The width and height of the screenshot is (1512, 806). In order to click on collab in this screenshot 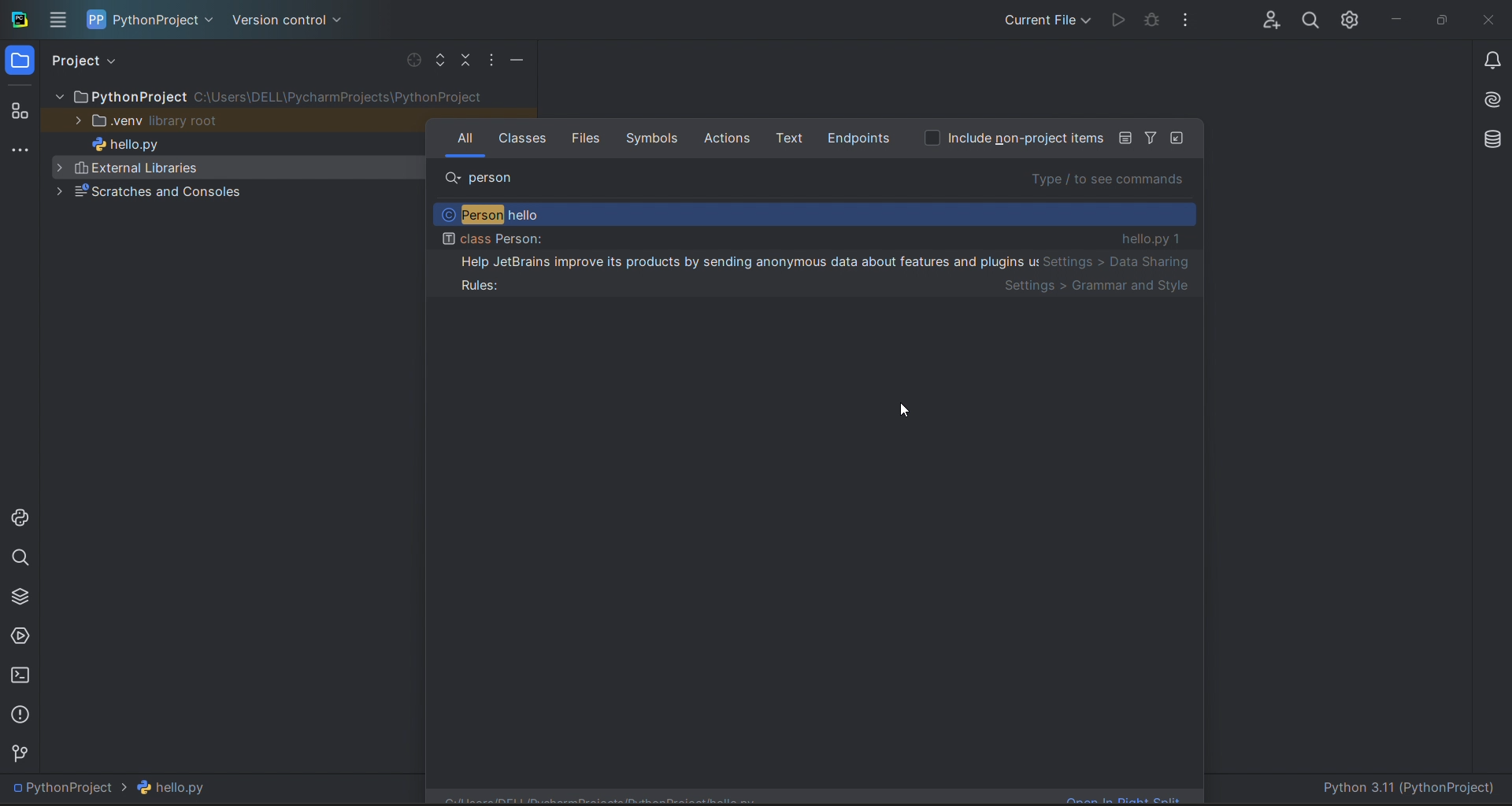, I will do `click(1272, 20)`.